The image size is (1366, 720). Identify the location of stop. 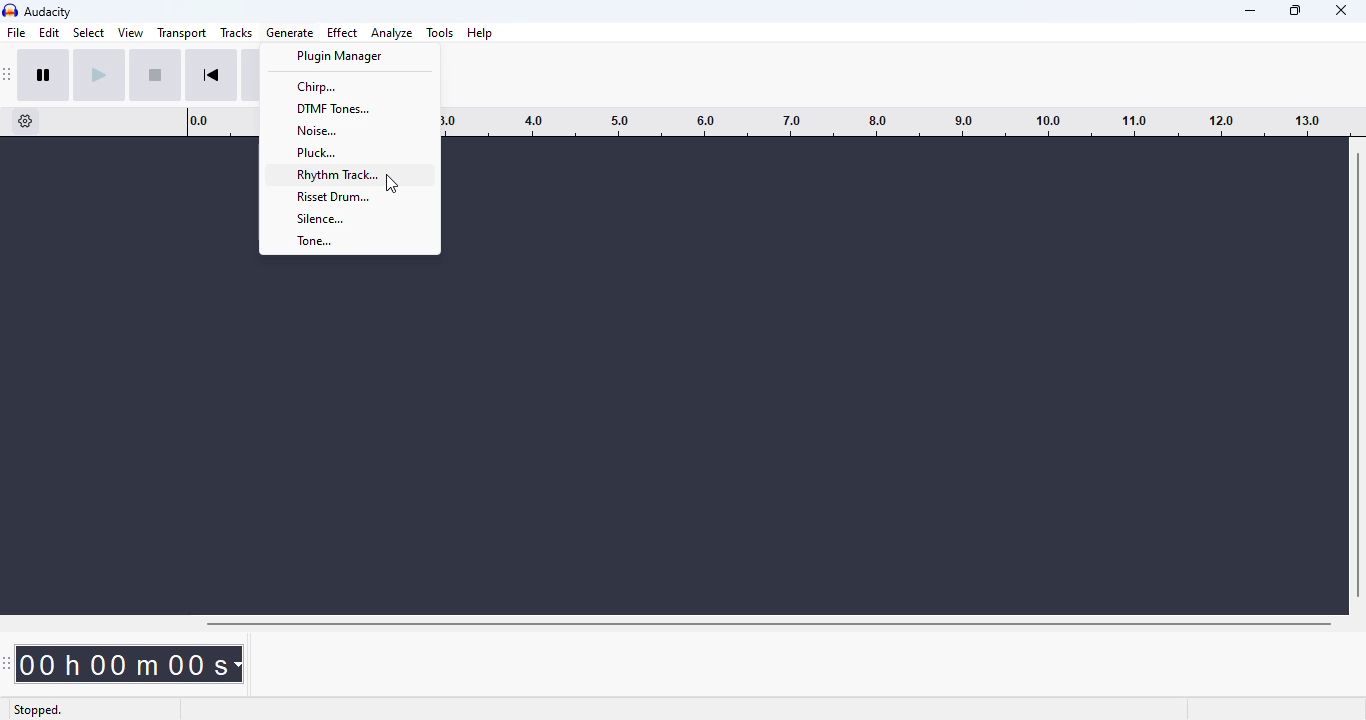
(155, 75).